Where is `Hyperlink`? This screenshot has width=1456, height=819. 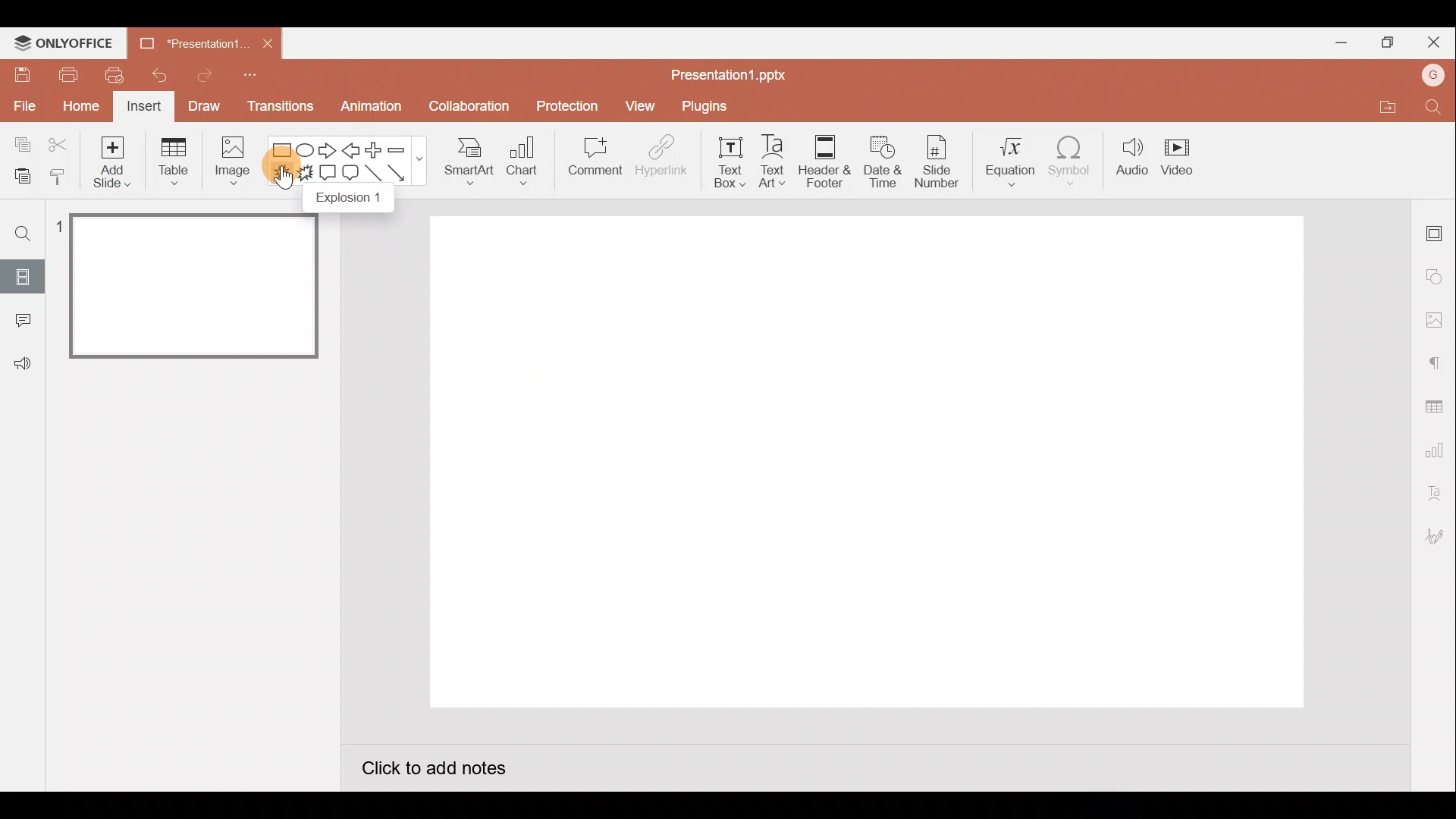 Hyperlink is located at coordinates (661, 158).